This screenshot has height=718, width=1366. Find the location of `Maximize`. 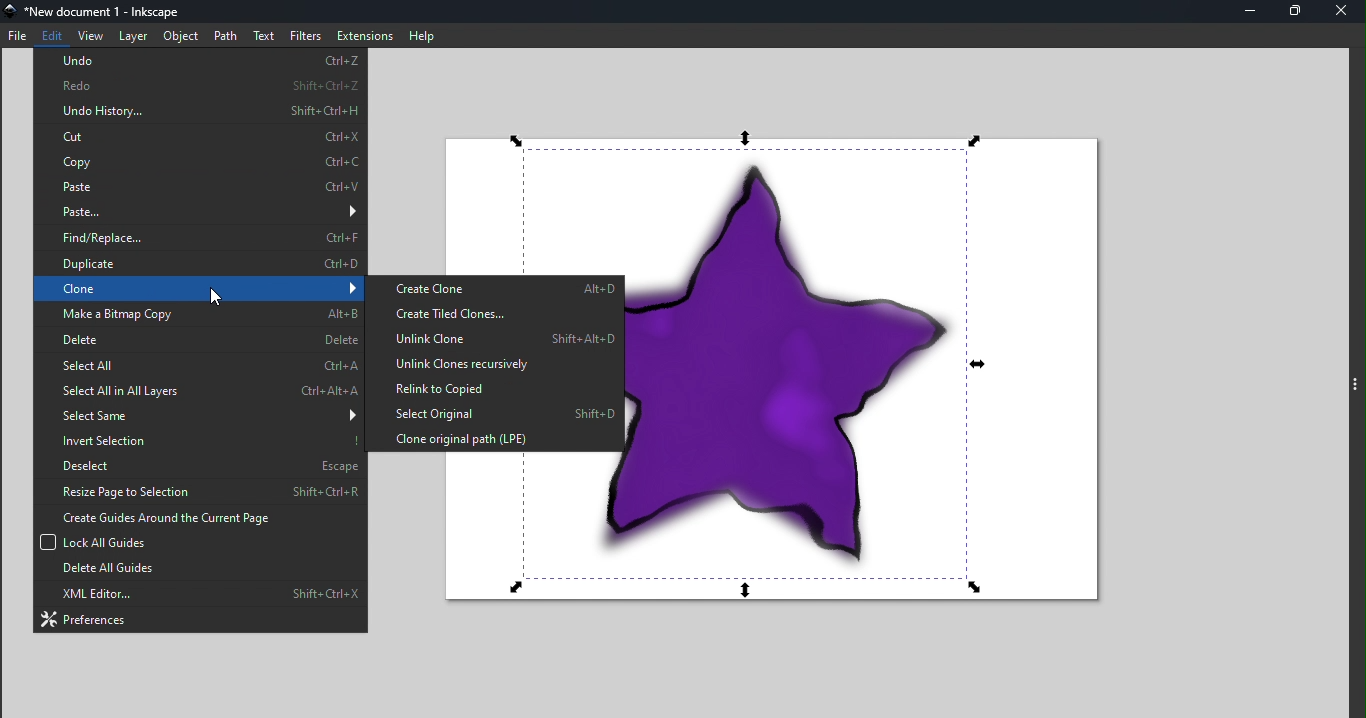

Maximize is located at coordinates (1294, 12).